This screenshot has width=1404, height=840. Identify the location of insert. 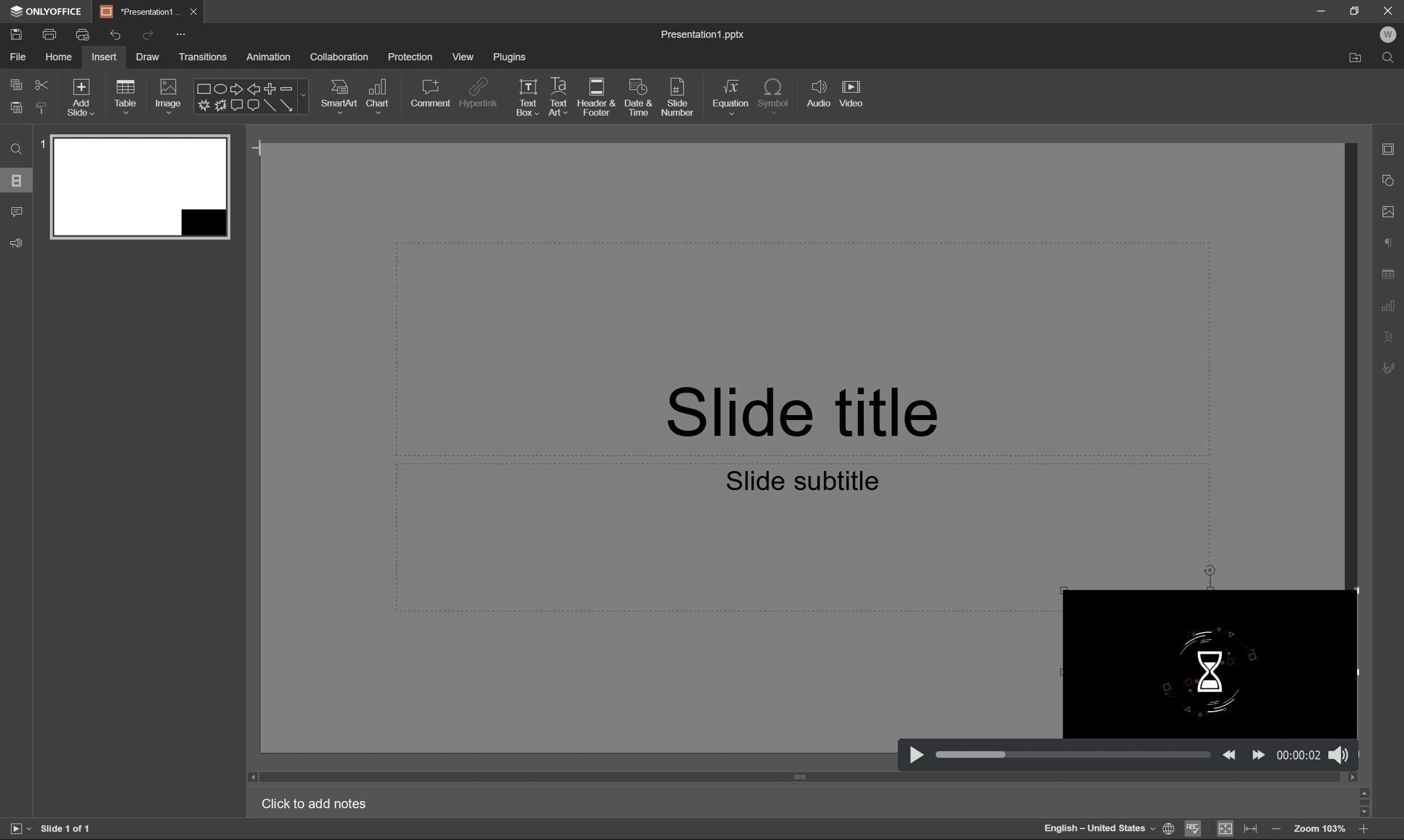
(103, 57).